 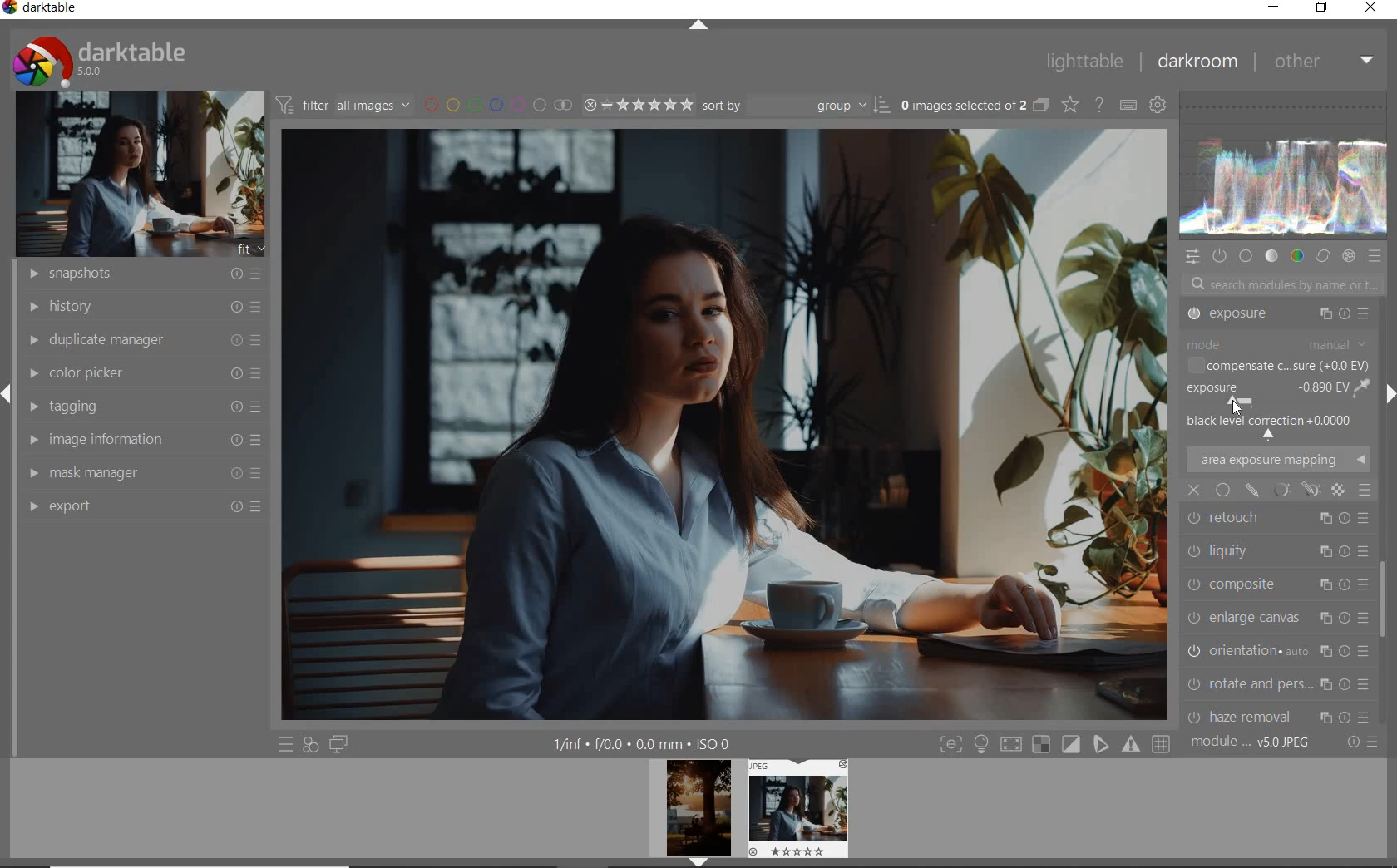 I want to click on PRESET, so click(x=1376, y=257).